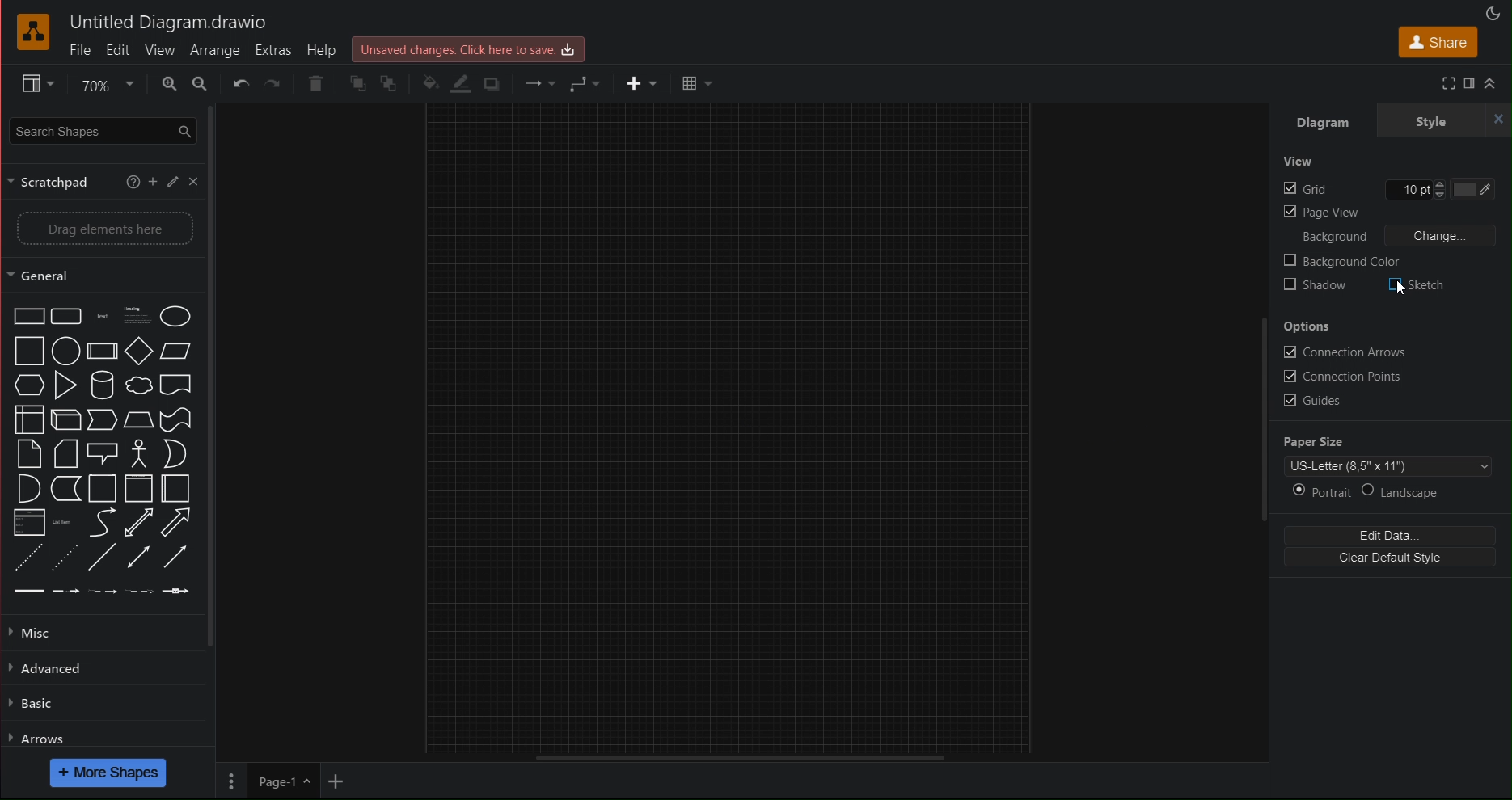 This screenshot has width=1512, height=800. I want to click on process, so click(102, 351).